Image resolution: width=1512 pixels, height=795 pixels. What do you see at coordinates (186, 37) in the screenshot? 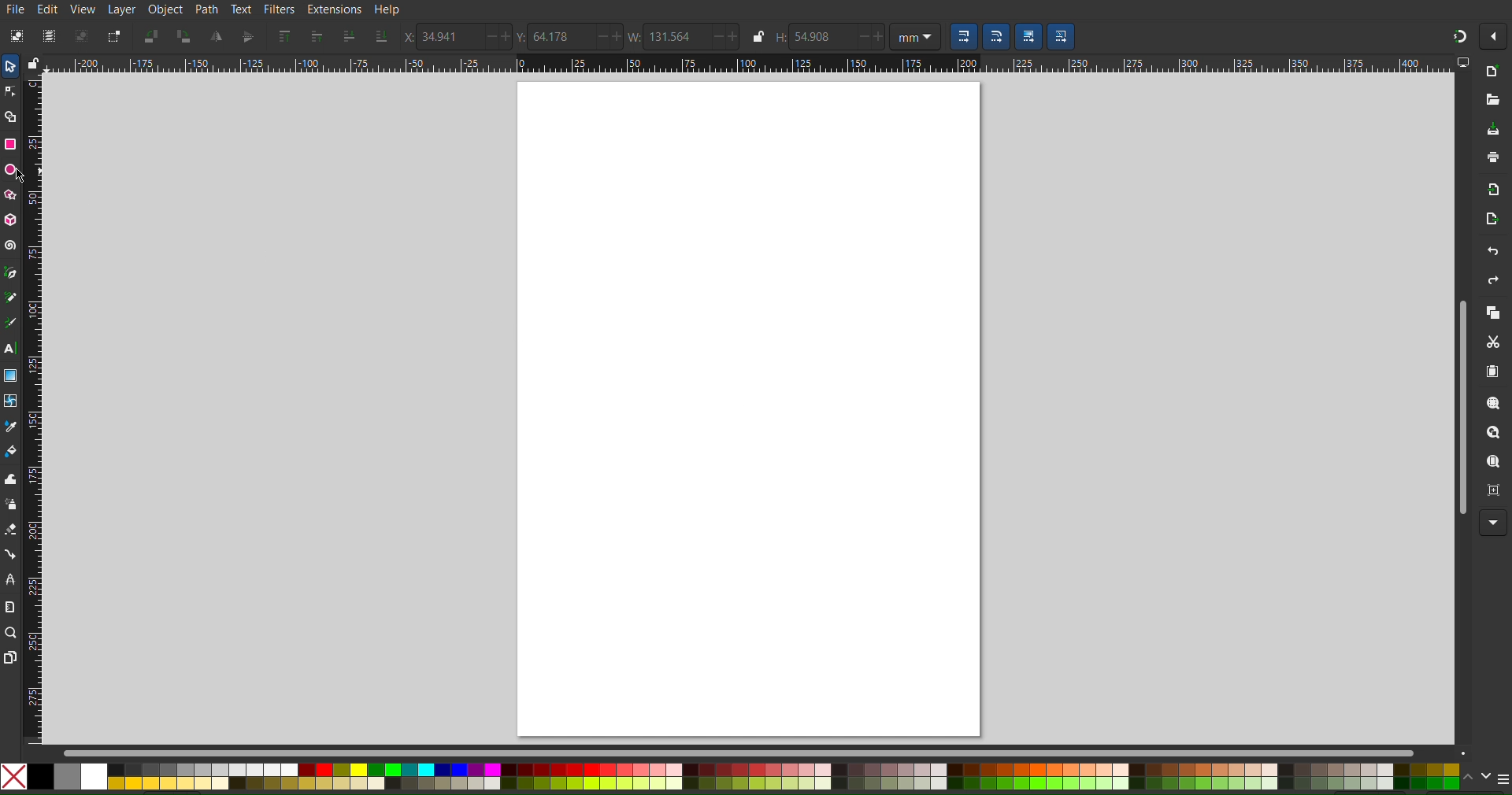
I see `Rotate CW` at bounding box center [186, 37].